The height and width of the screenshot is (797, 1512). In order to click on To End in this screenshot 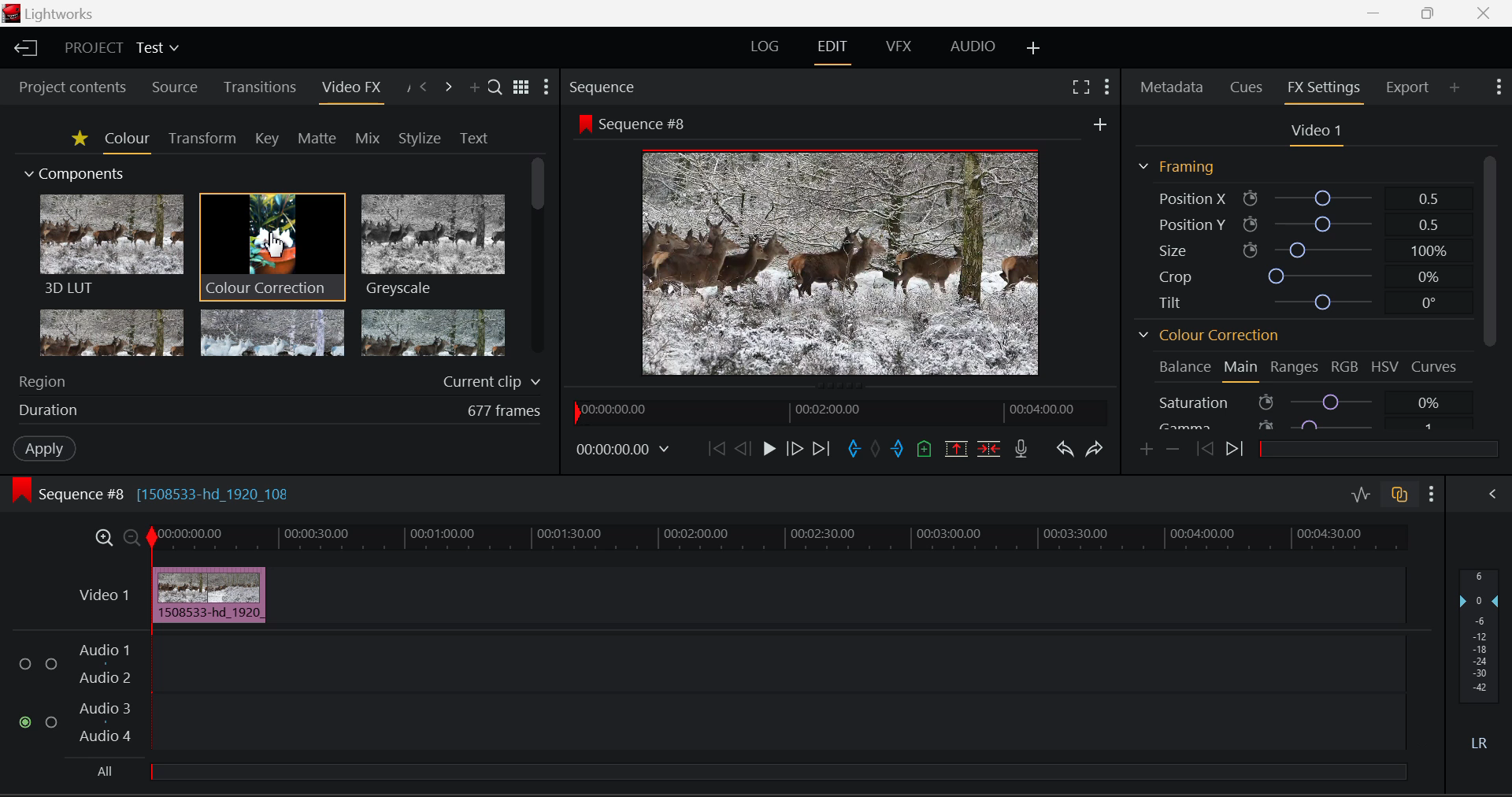, I will do `click(821, 450)`.